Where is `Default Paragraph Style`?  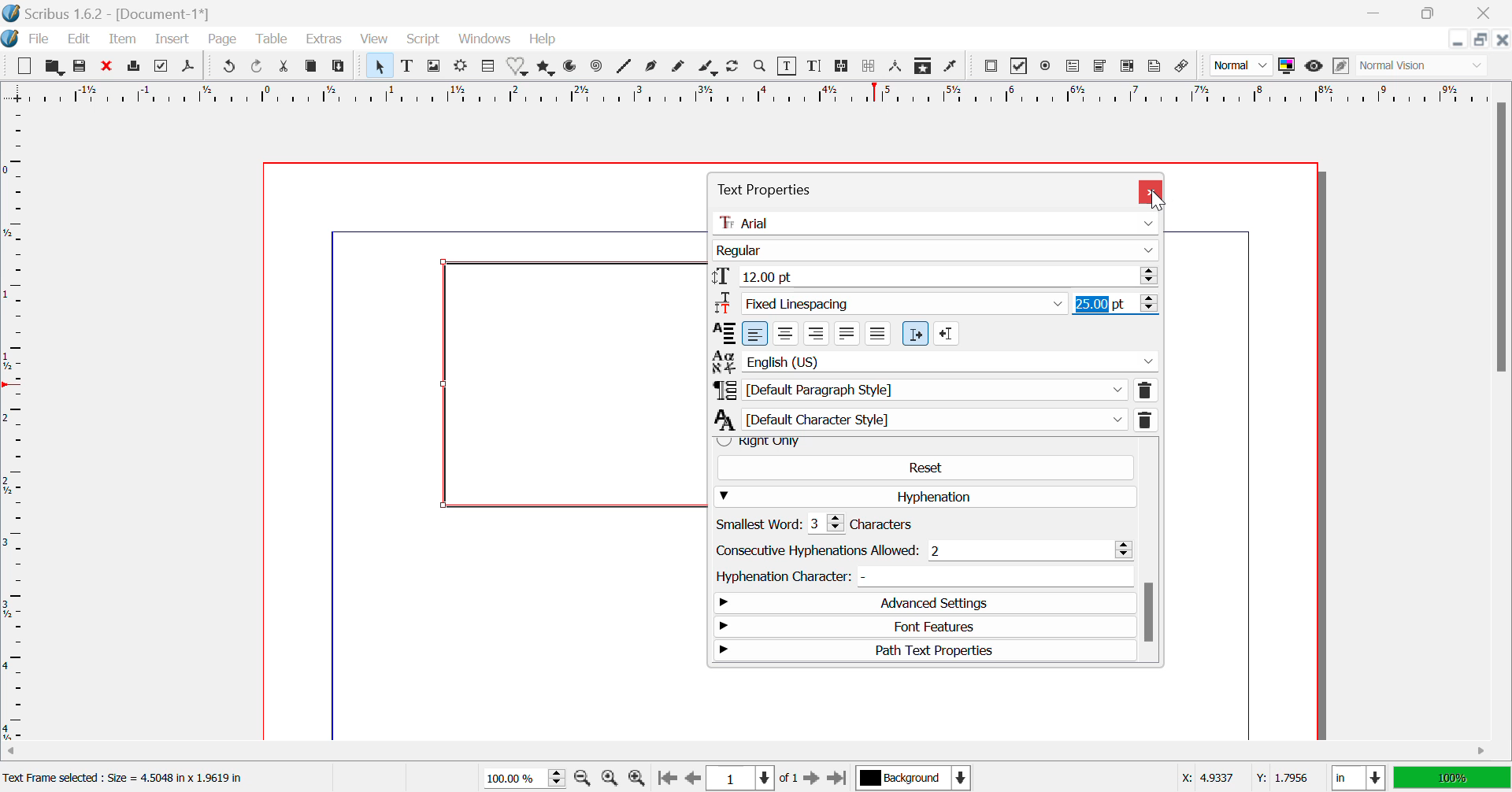
Default Paragraph Style is located at coordinates (935, 390).